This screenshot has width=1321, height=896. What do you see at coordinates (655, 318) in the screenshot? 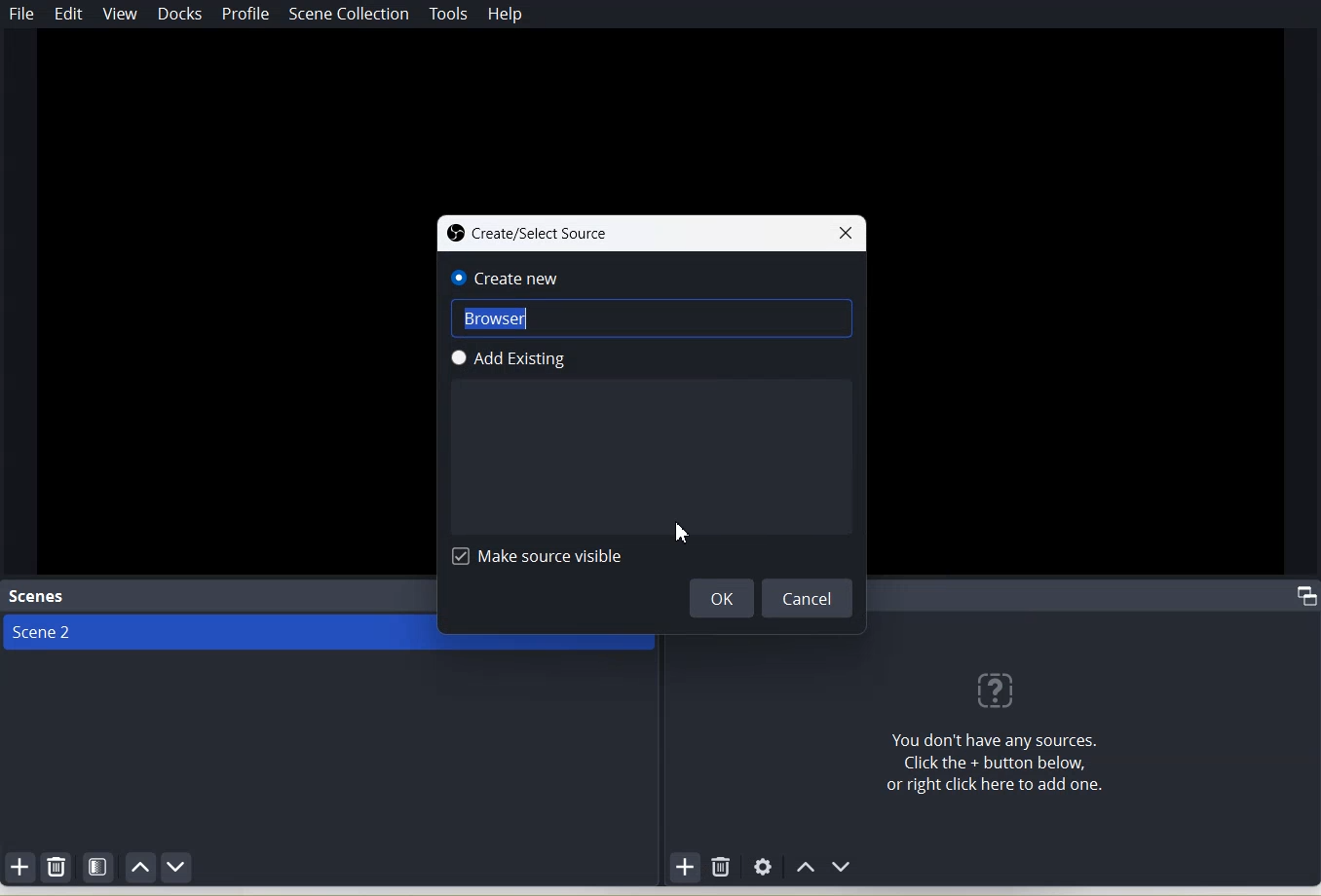
I see `browser` at bounding box center [655, 318].